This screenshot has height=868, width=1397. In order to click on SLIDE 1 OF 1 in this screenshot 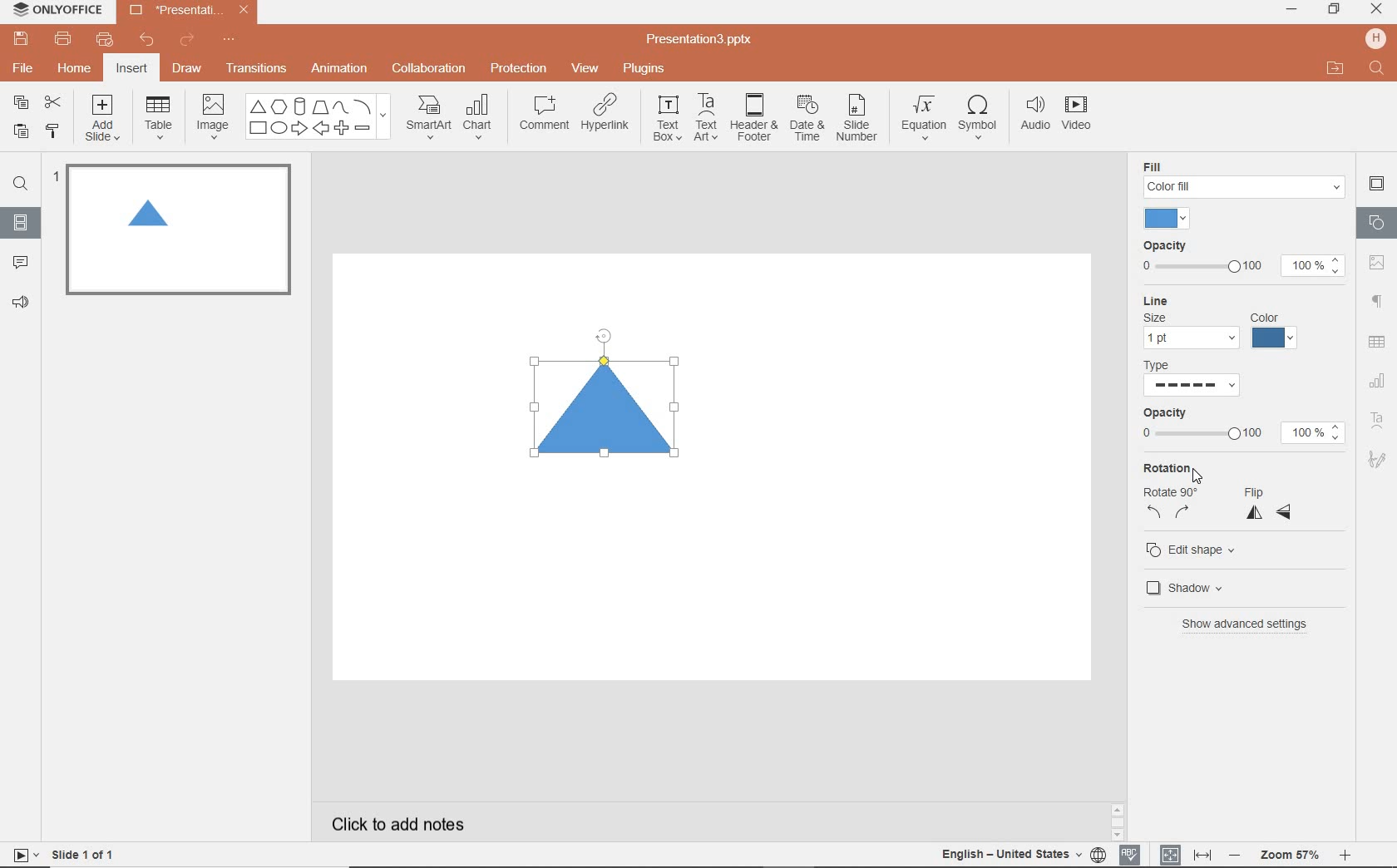, I will do `click(86, 853)`.